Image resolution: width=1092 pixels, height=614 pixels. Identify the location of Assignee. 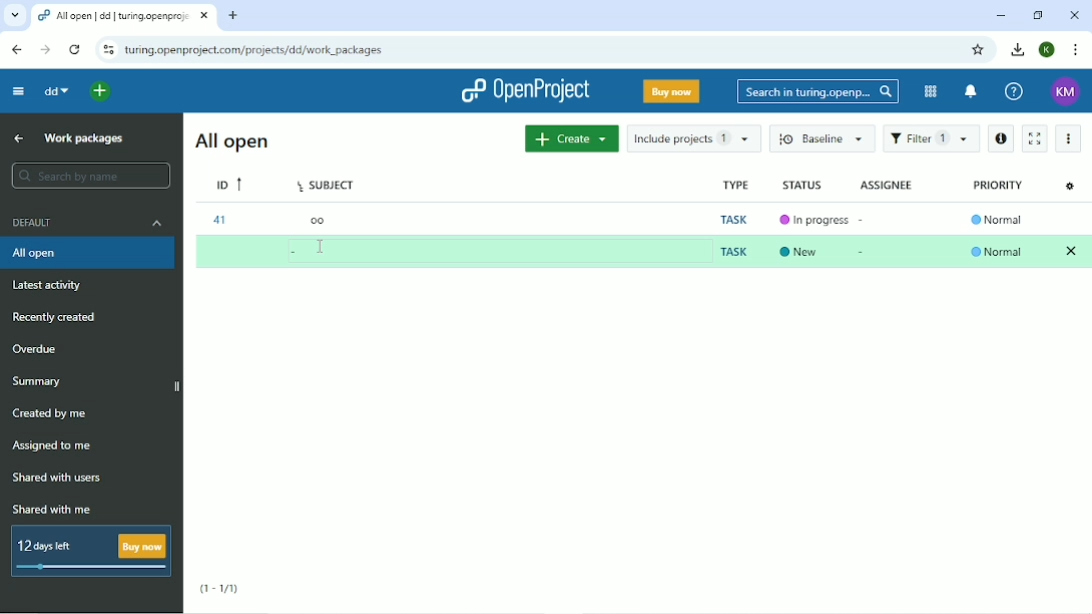
(887, 183).